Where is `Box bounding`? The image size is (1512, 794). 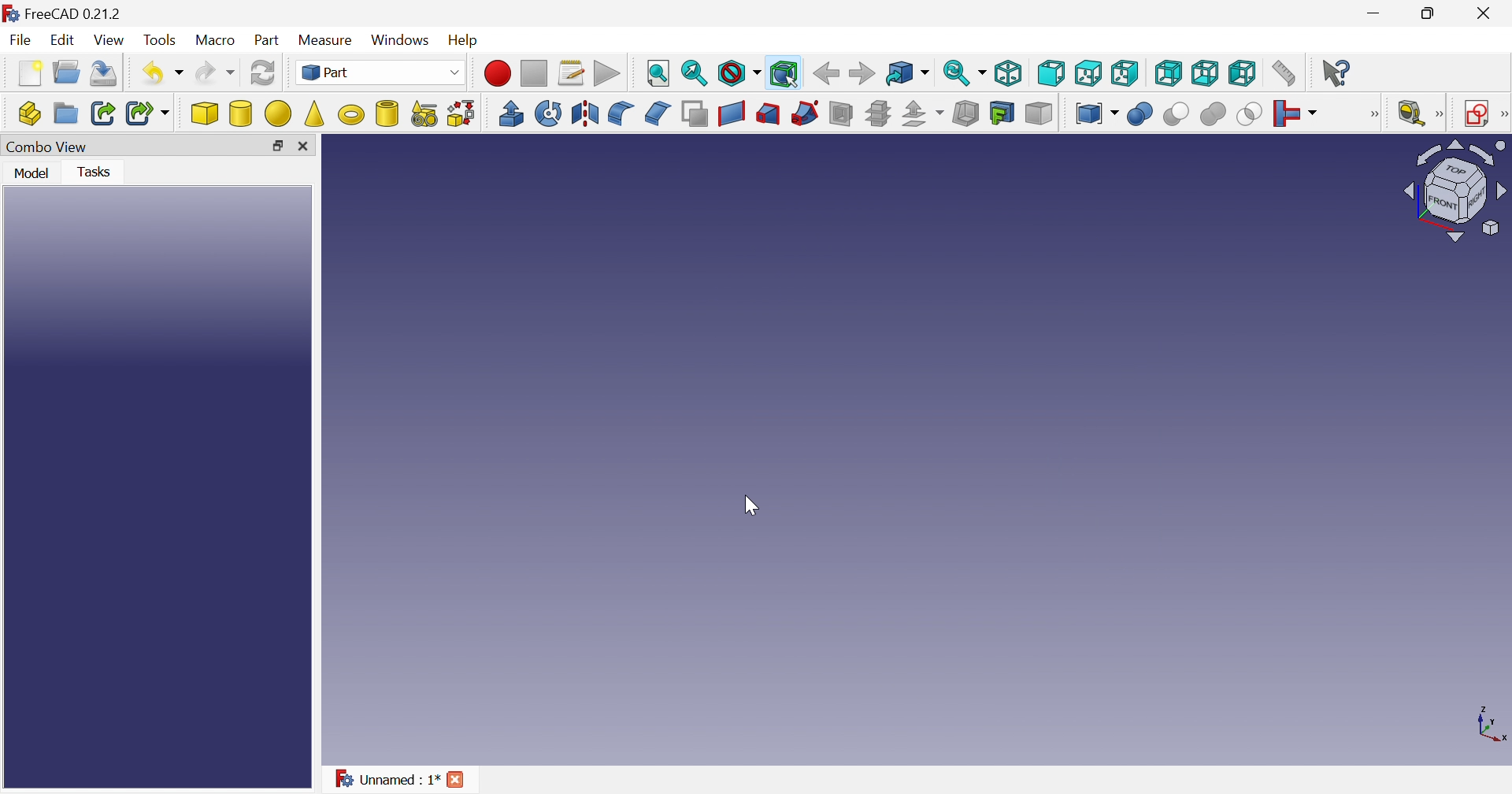
Box bounding is located at coordinates (785, 75).